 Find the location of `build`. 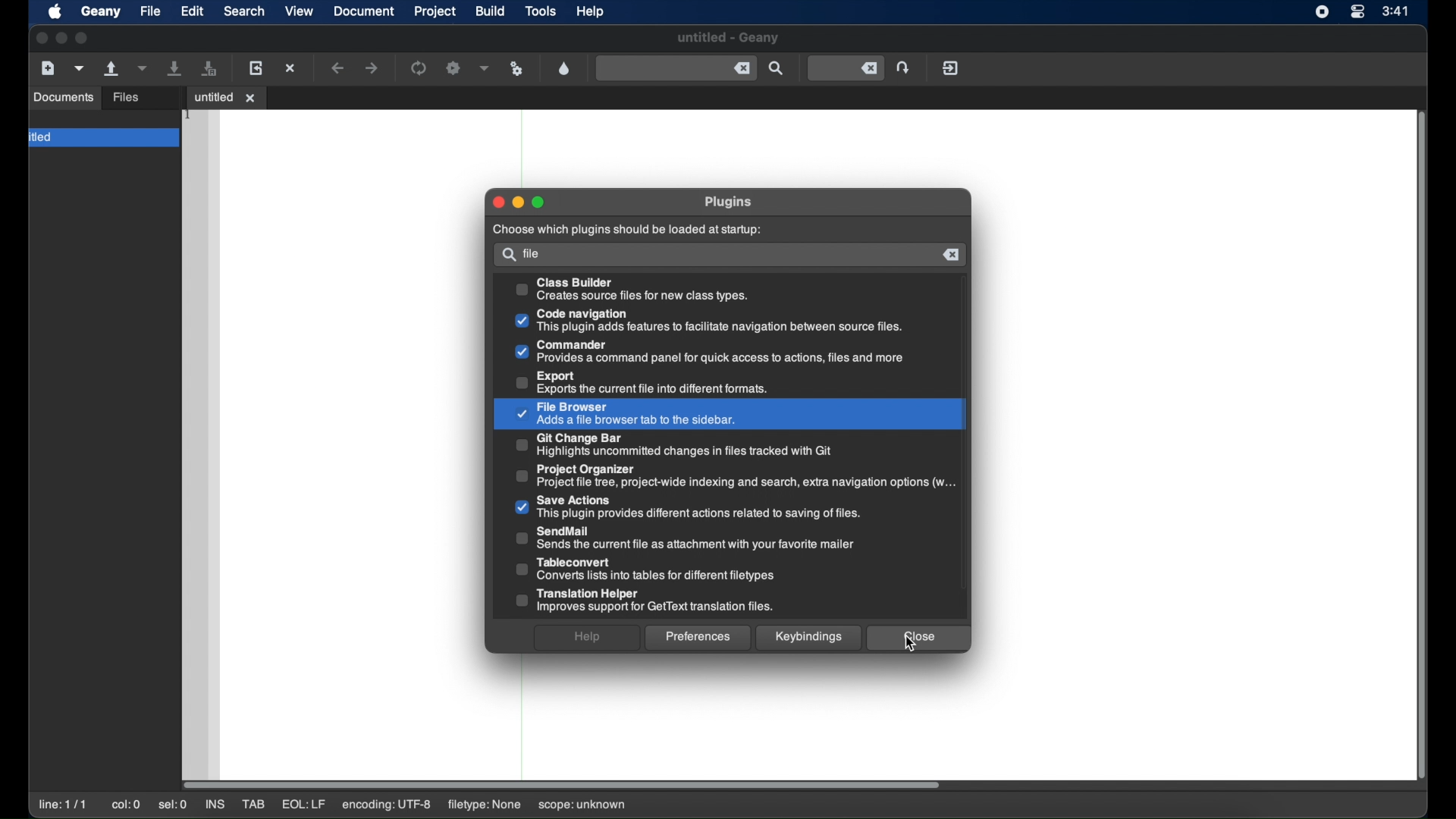

build is located at coordinates (491, 11).